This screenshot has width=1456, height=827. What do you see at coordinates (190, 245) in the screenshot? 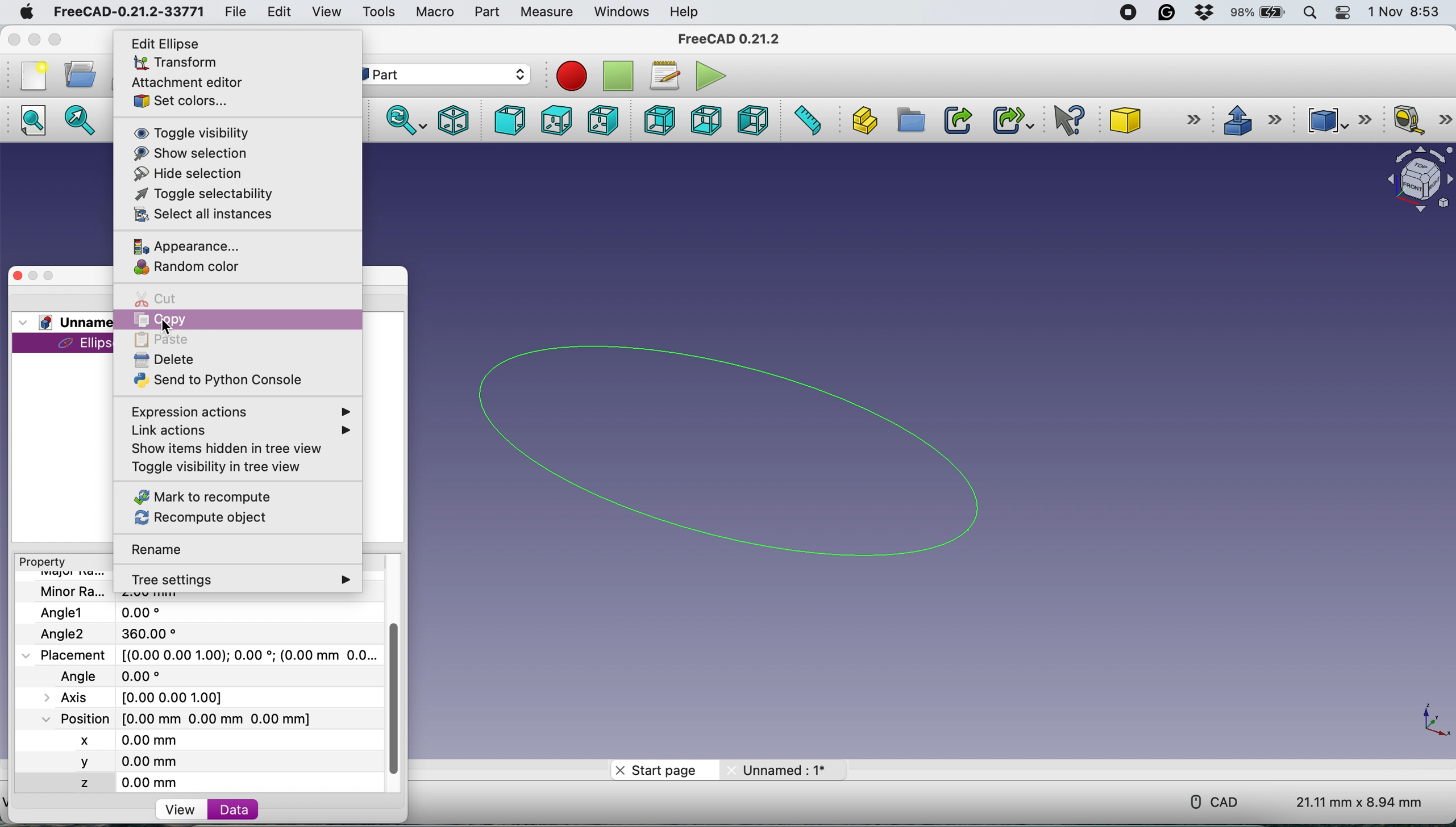
I see `appearance` at bounding box center [190, 245].